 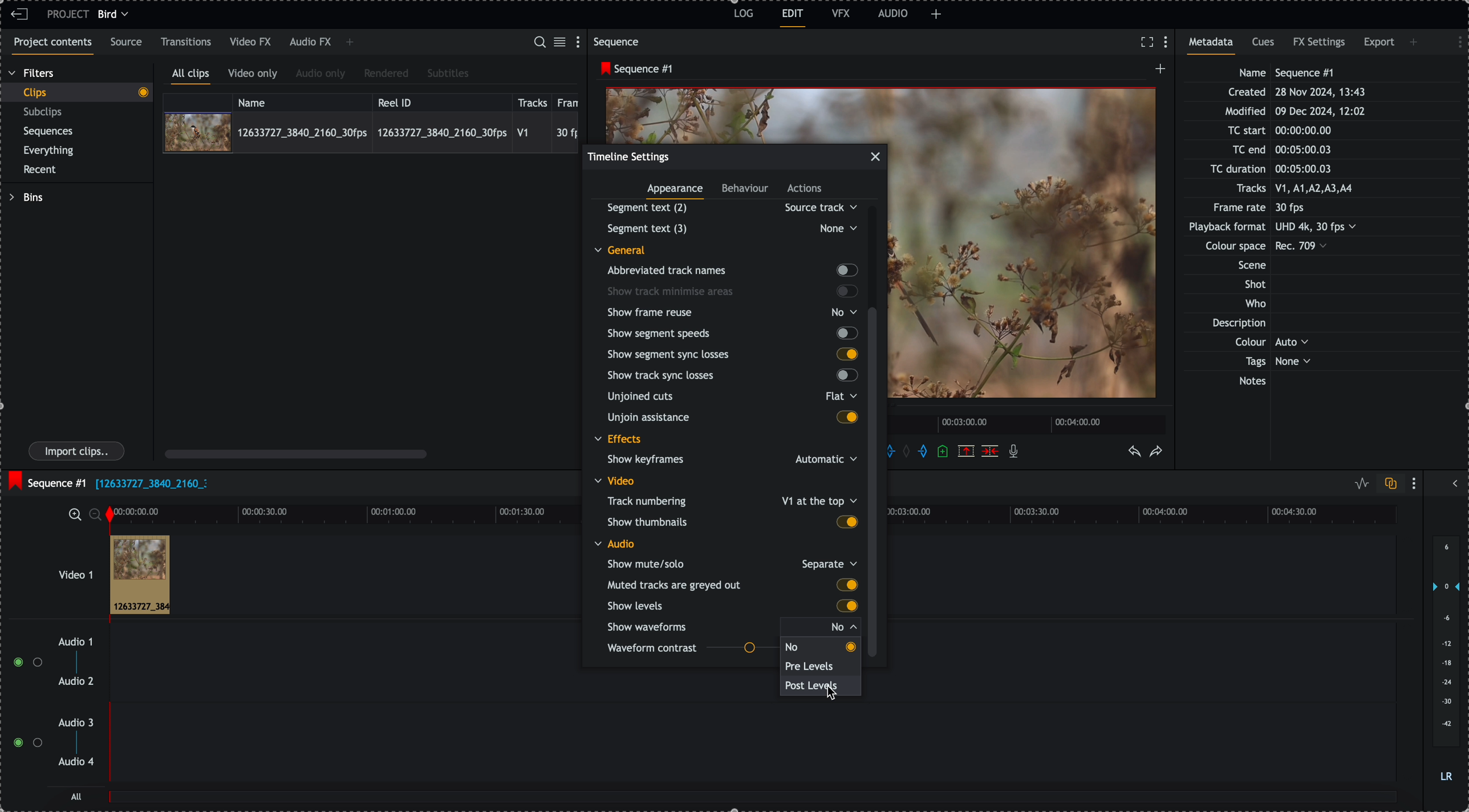 What do you see at coordinates (733, 419) in the screenshot?
I see `unjoin assitance` at bounding box center [733, 419].